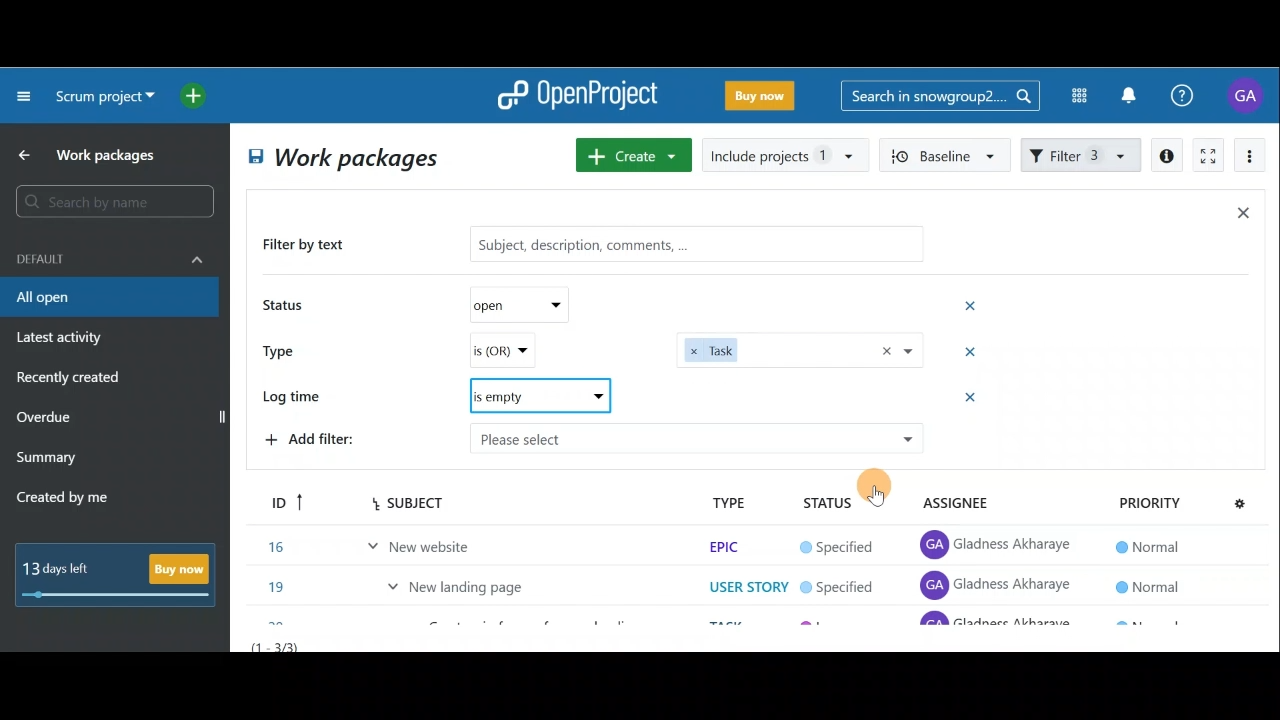 The width and height of the screenshot is (1280, 720). I want to click on Open quick add menu, so click(197, 96).